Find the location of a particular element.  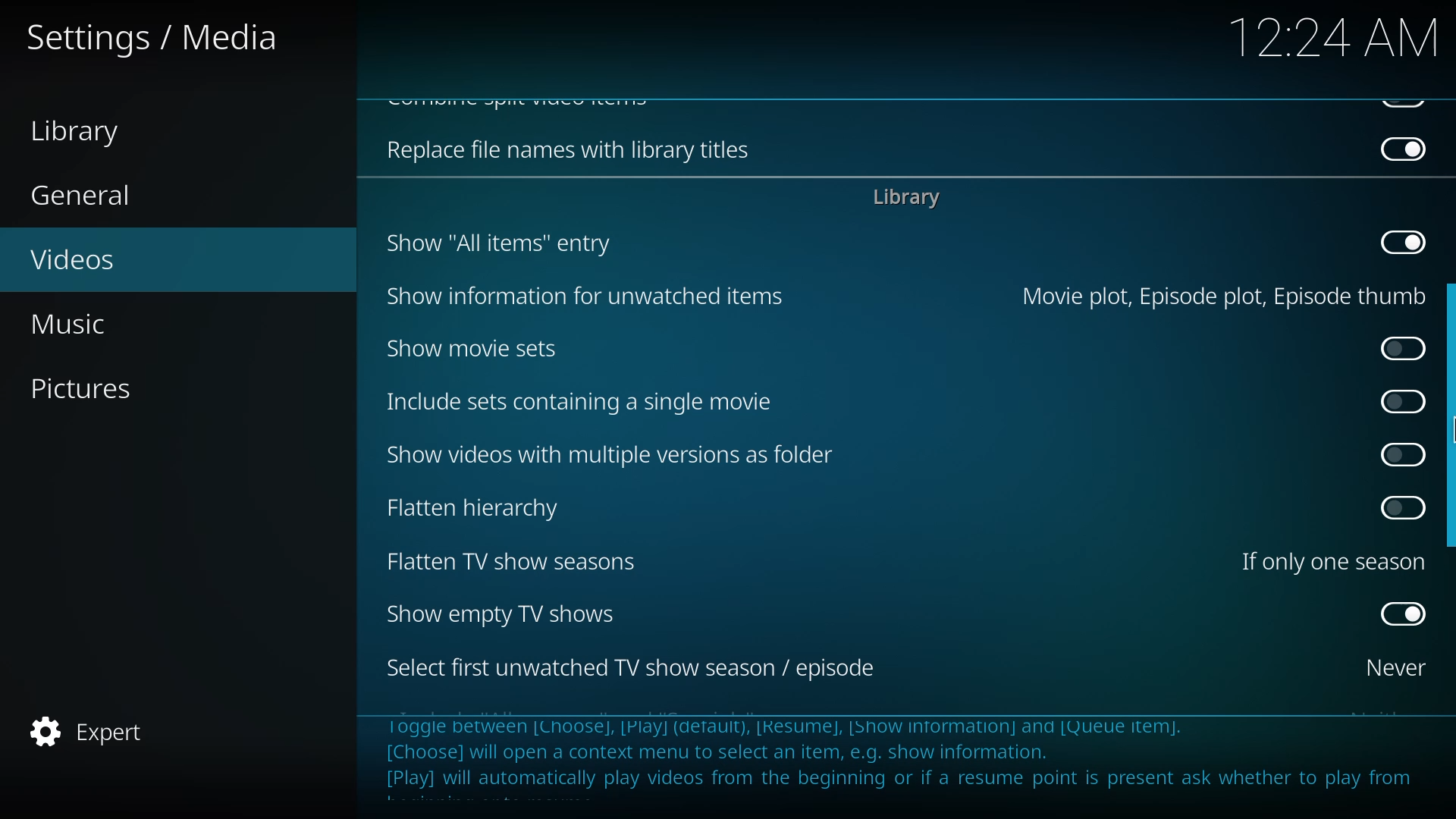

show movie sets is located at coordinates (471, 347).